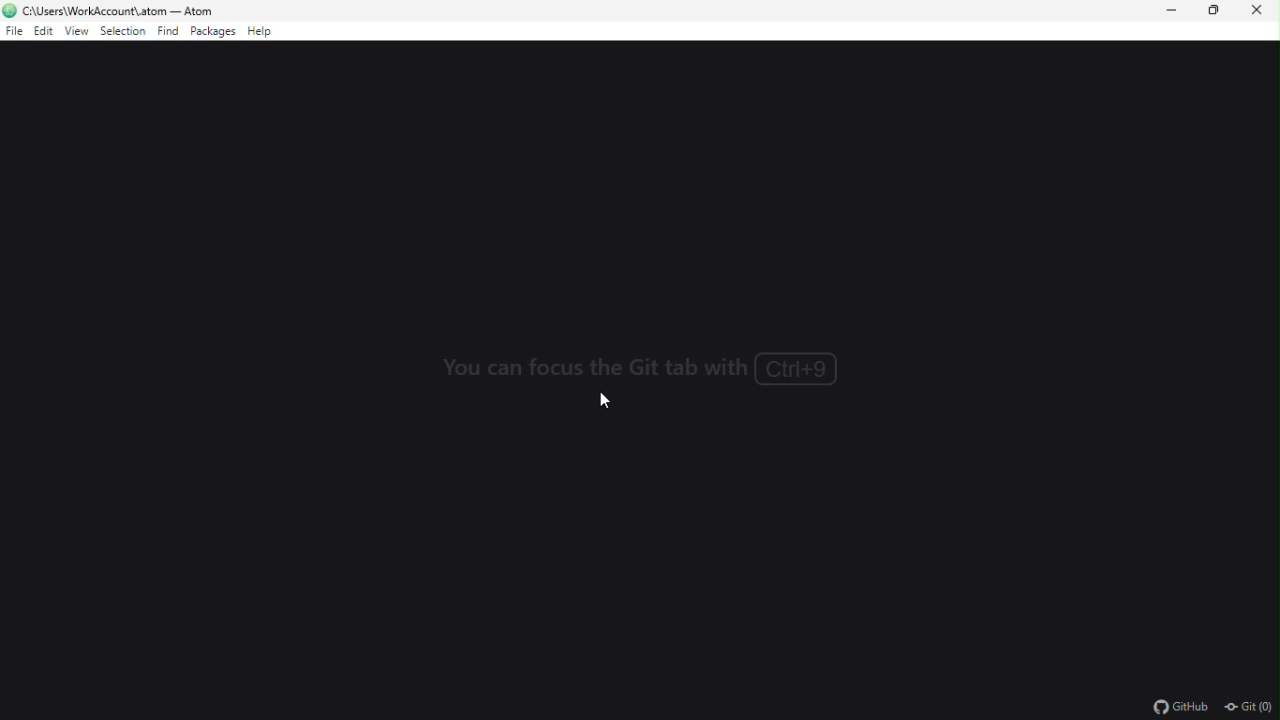 This screenshot has height=720, width=1280. What do you see at coordinates (603, 406) in the screenshot?
I see `cursor` at bounding box center [603, 406].